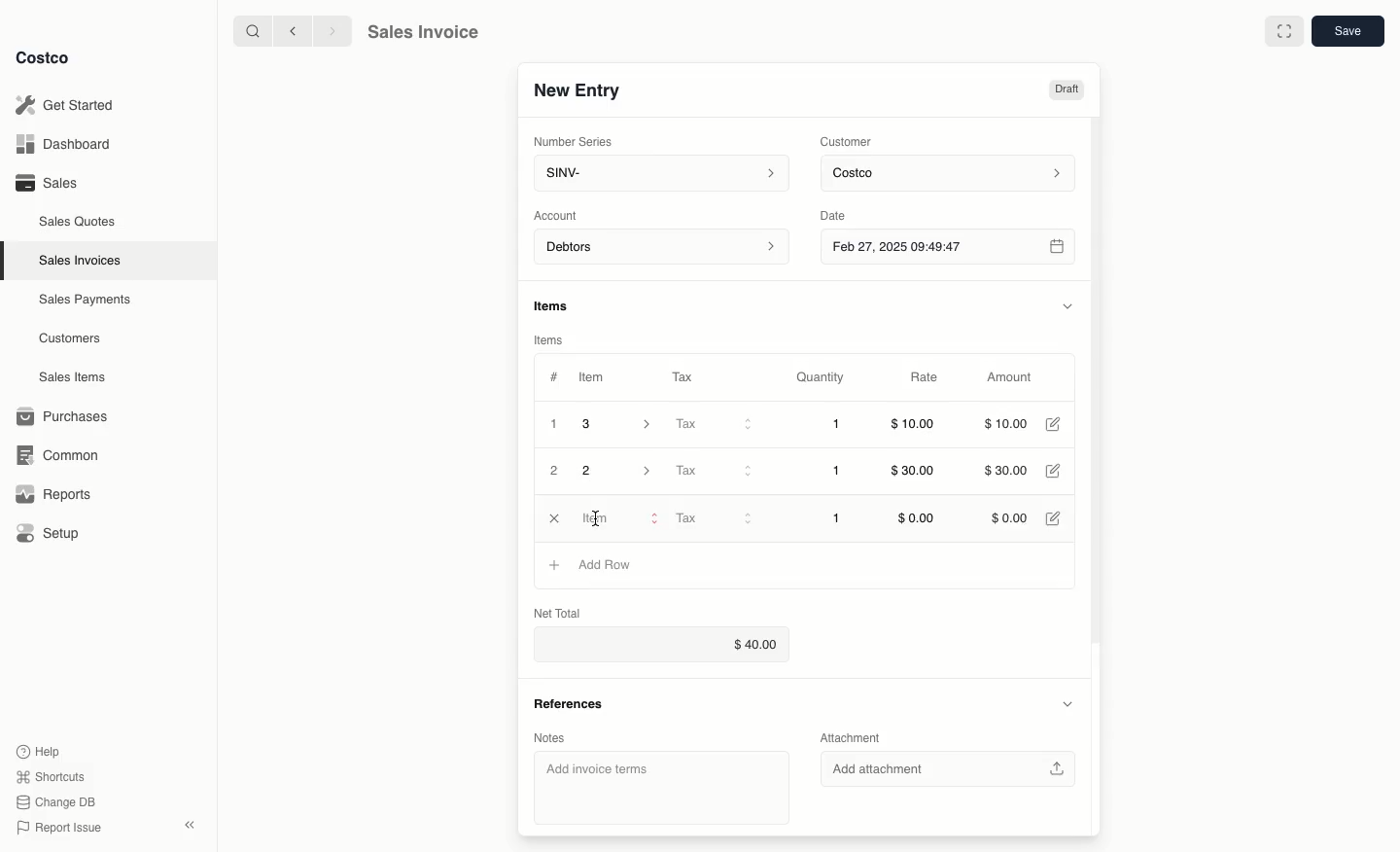 The image size is (1400, 852). I want to click on $0.00, so click(1009, 516).